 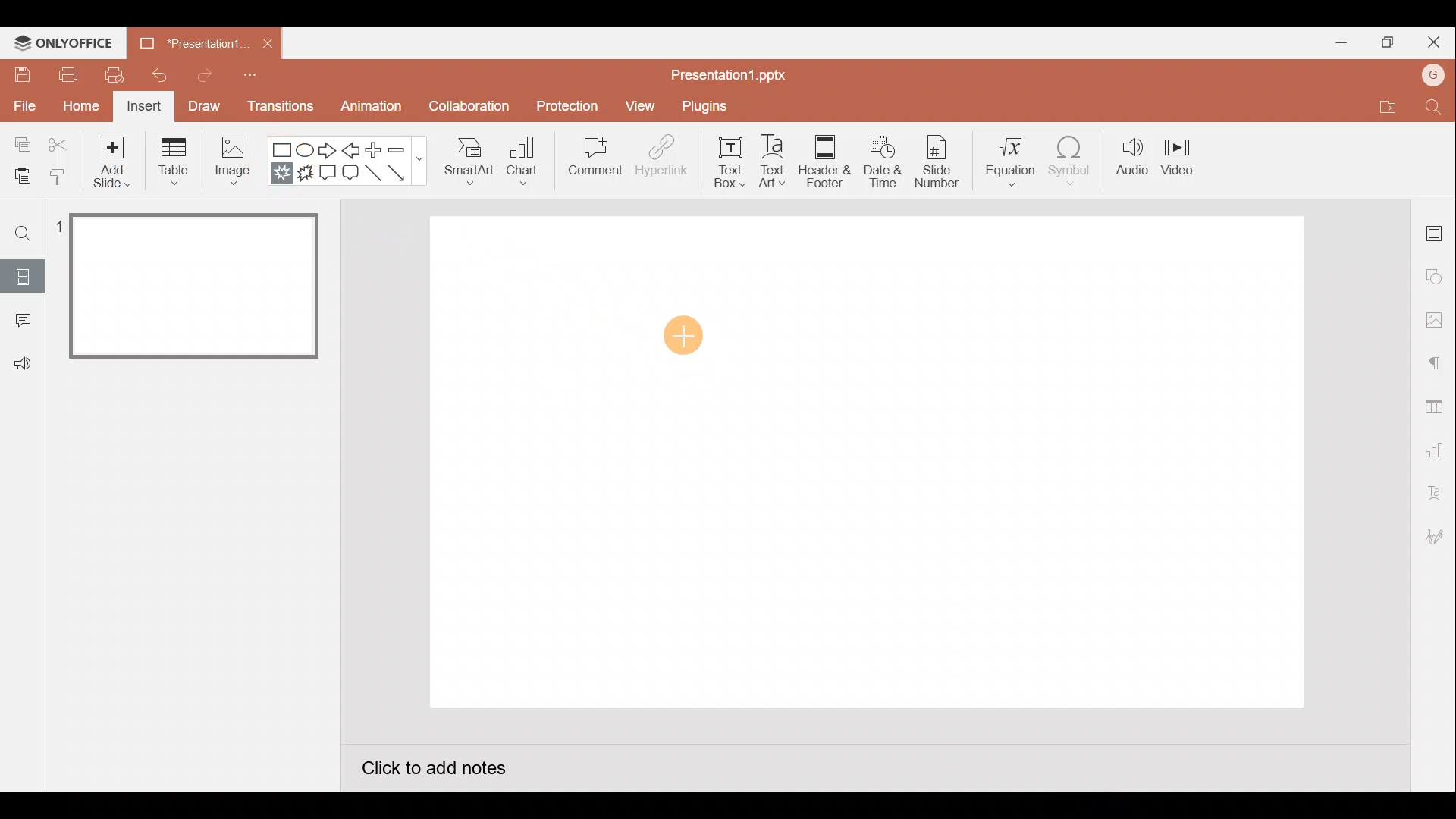 What do you see at coordinates (1432, 318) in the screenshot?
I see `Image settings` at bounding box center [1432, 318].